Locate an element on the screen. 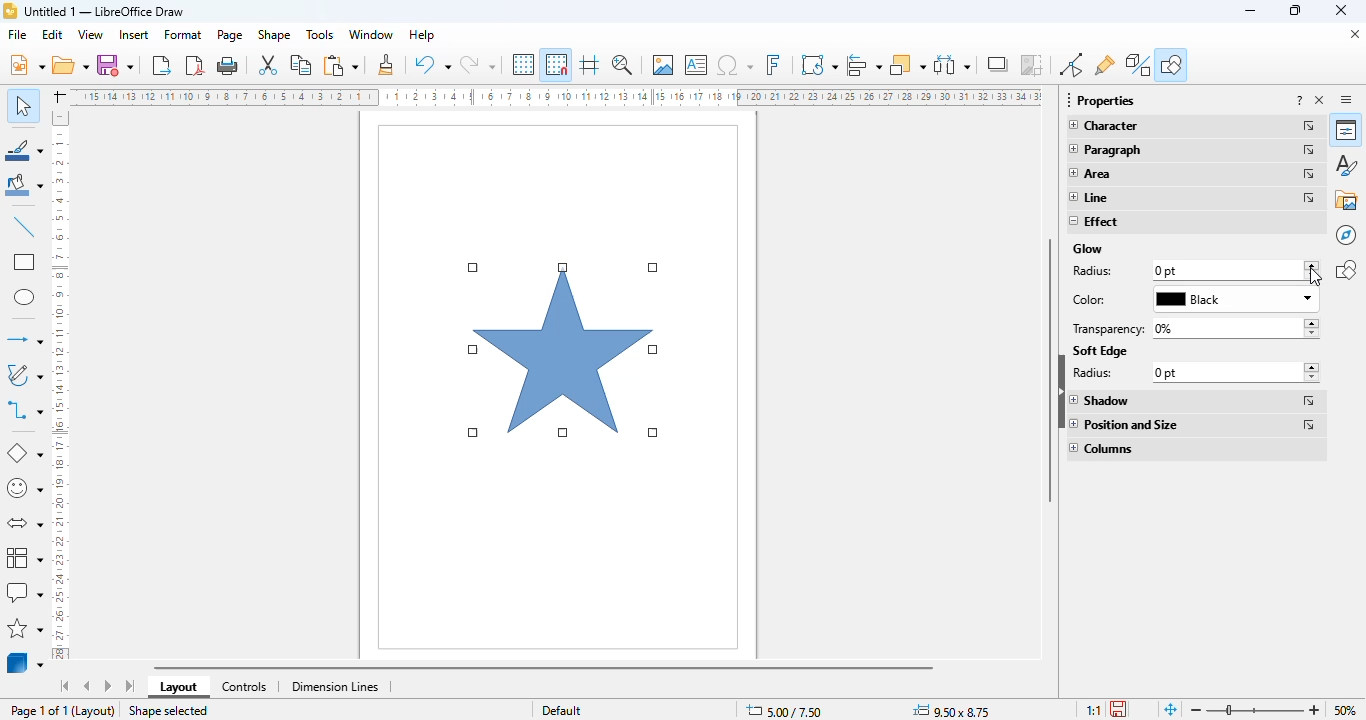 The width and height of the screenshot is (1366, 720). shape is located at coordinates (275, 34).